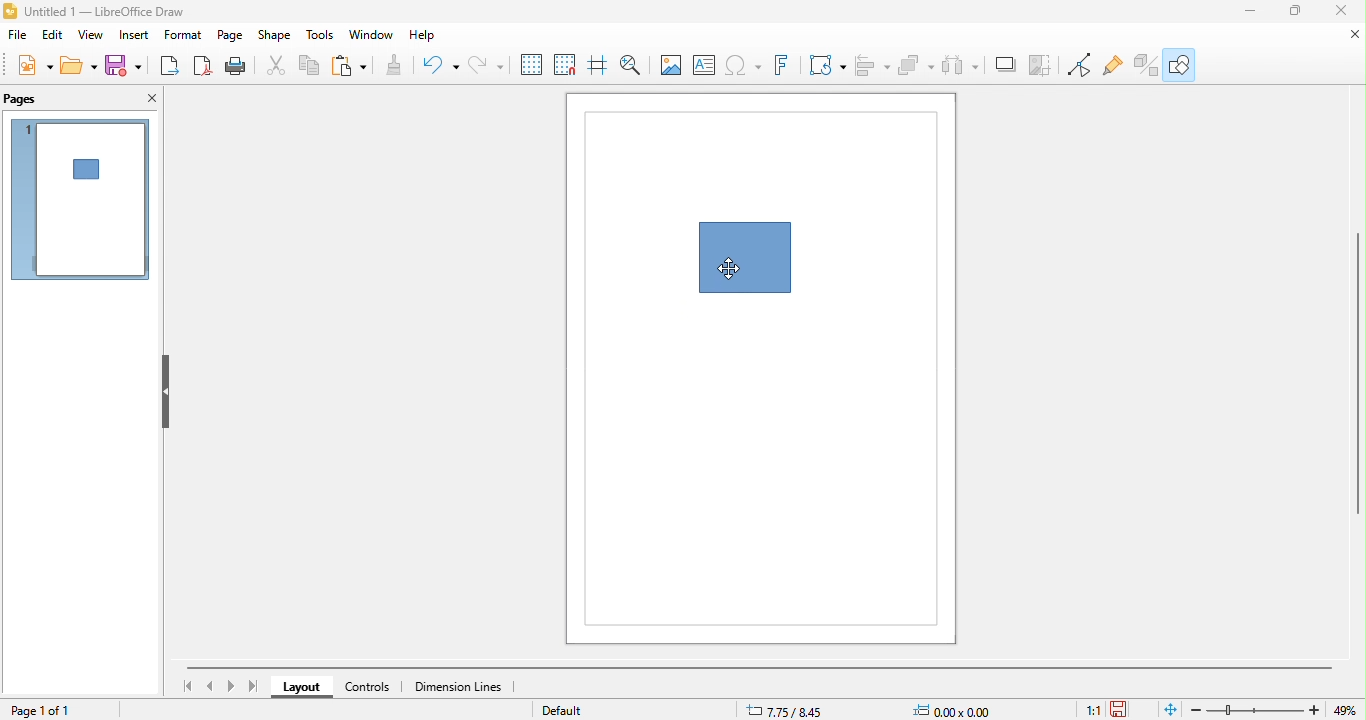 The width and height of the screenshot is (1366, 720). Describe the element at coordinates (955, 709) in the screenshot. I see `0.00 x0.00` at that location.